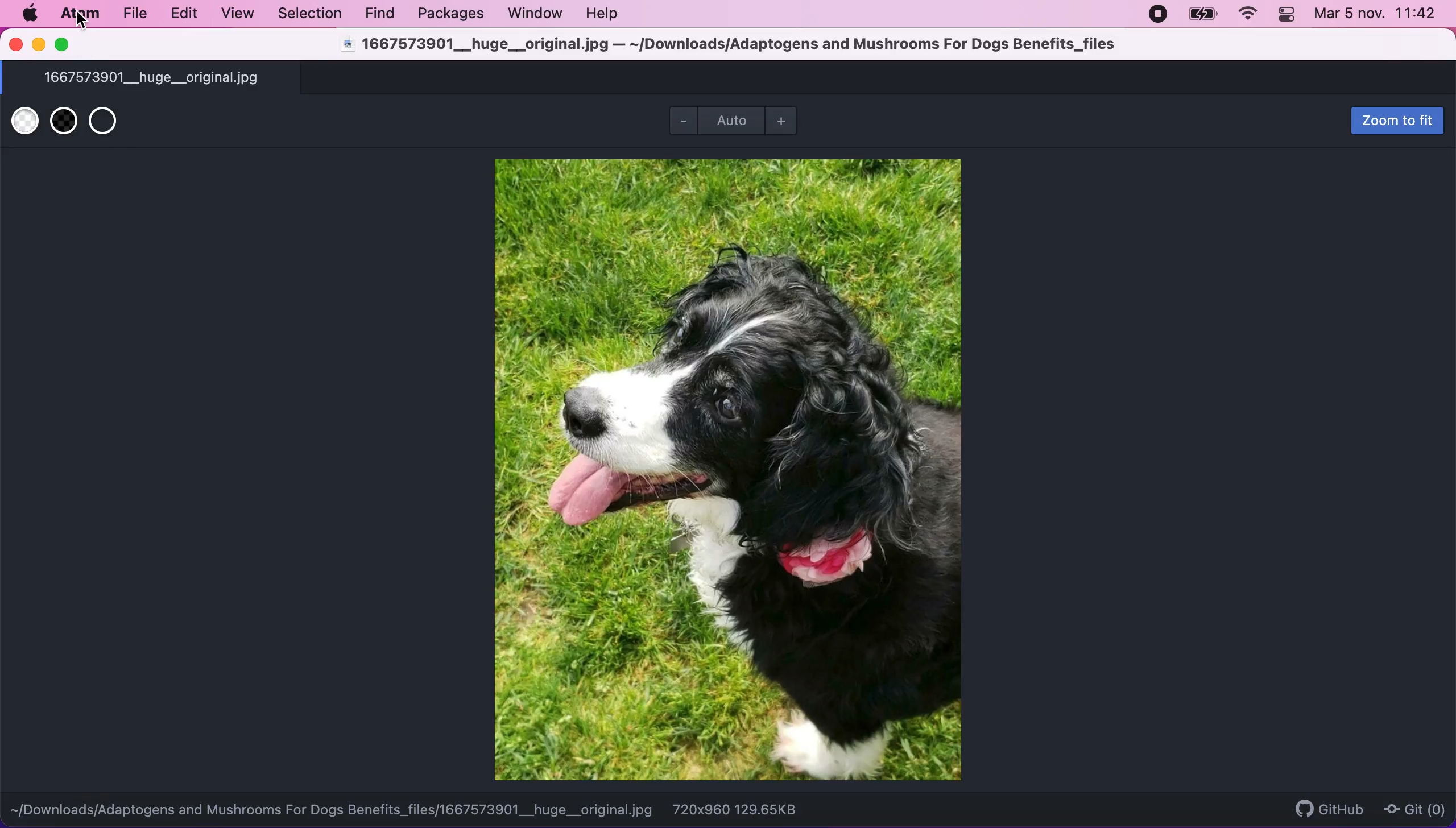 The image size is (1456, 828). Describe the element at coordinates (1378, 16) in the screenshot. I see `Mar 5 nov. 11:42` at that location.